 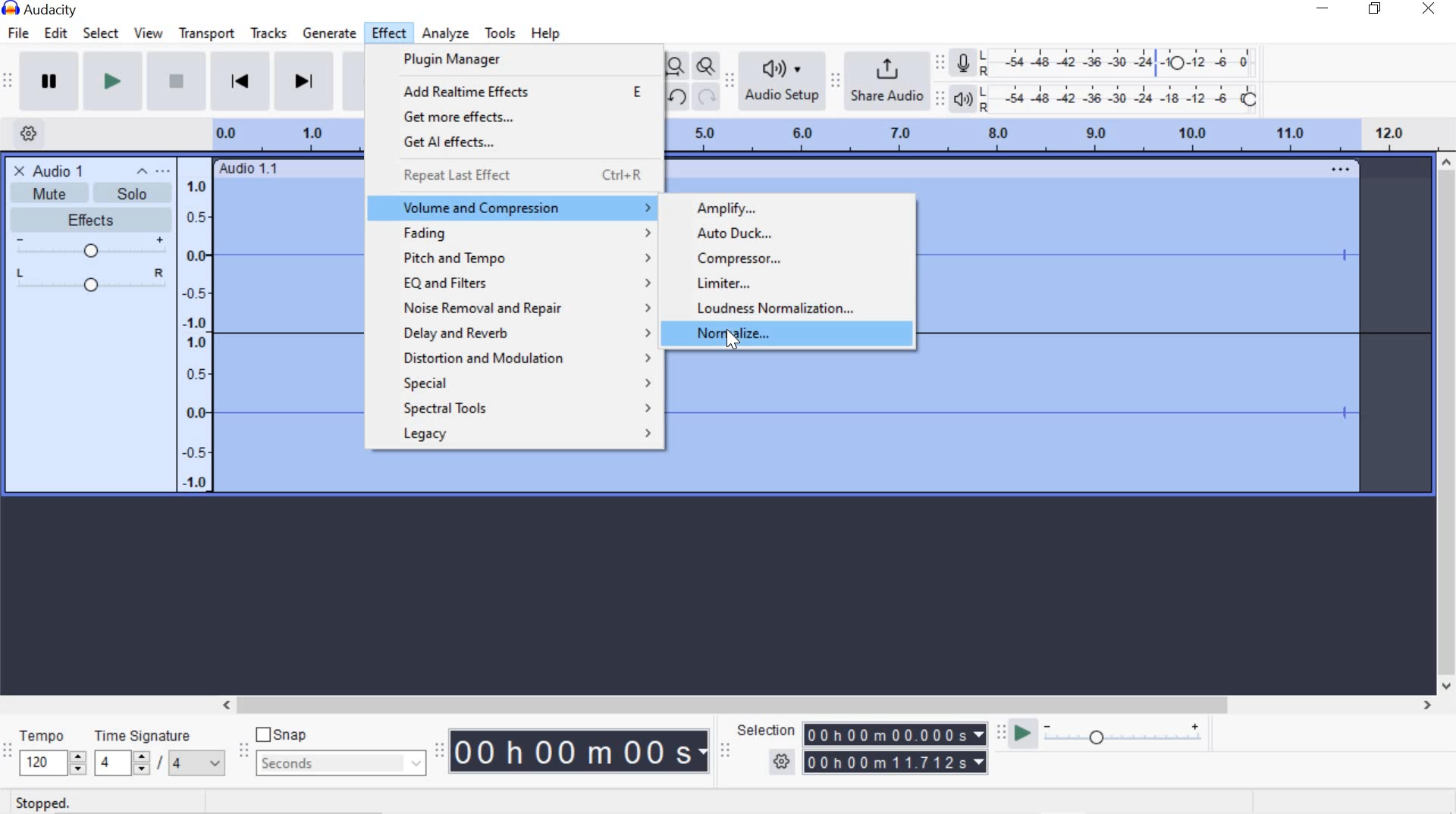 What do you see at coordinates (338, 762) in the screenshot?
I see `seconds` at bounding box center [338, 762].